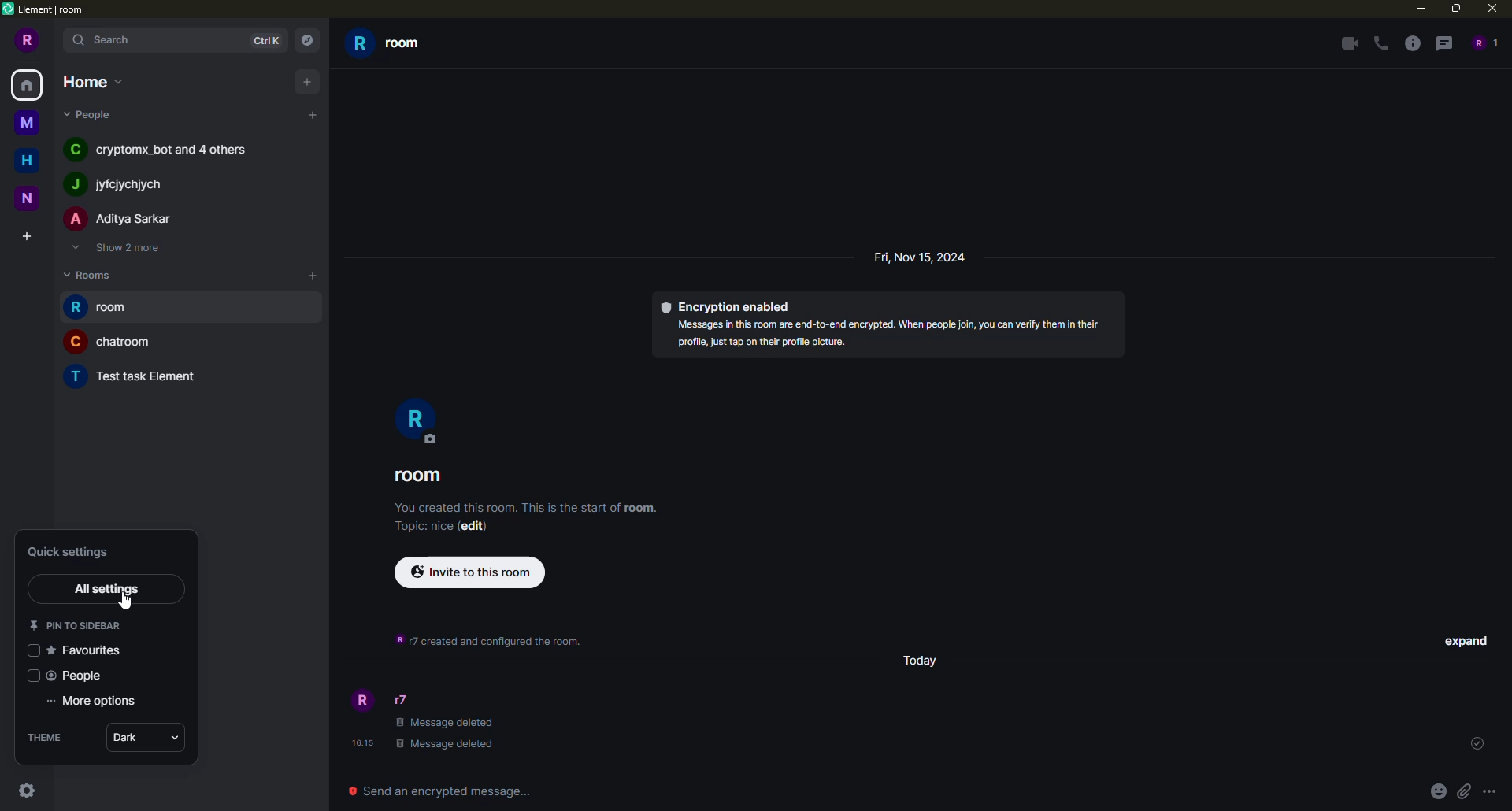 Image resolution: width=1512 pixels, height=811 pixels. What do you see at coordinates (923, 659) in the screenshot?
I see `day` at bounding box center [923, 659].